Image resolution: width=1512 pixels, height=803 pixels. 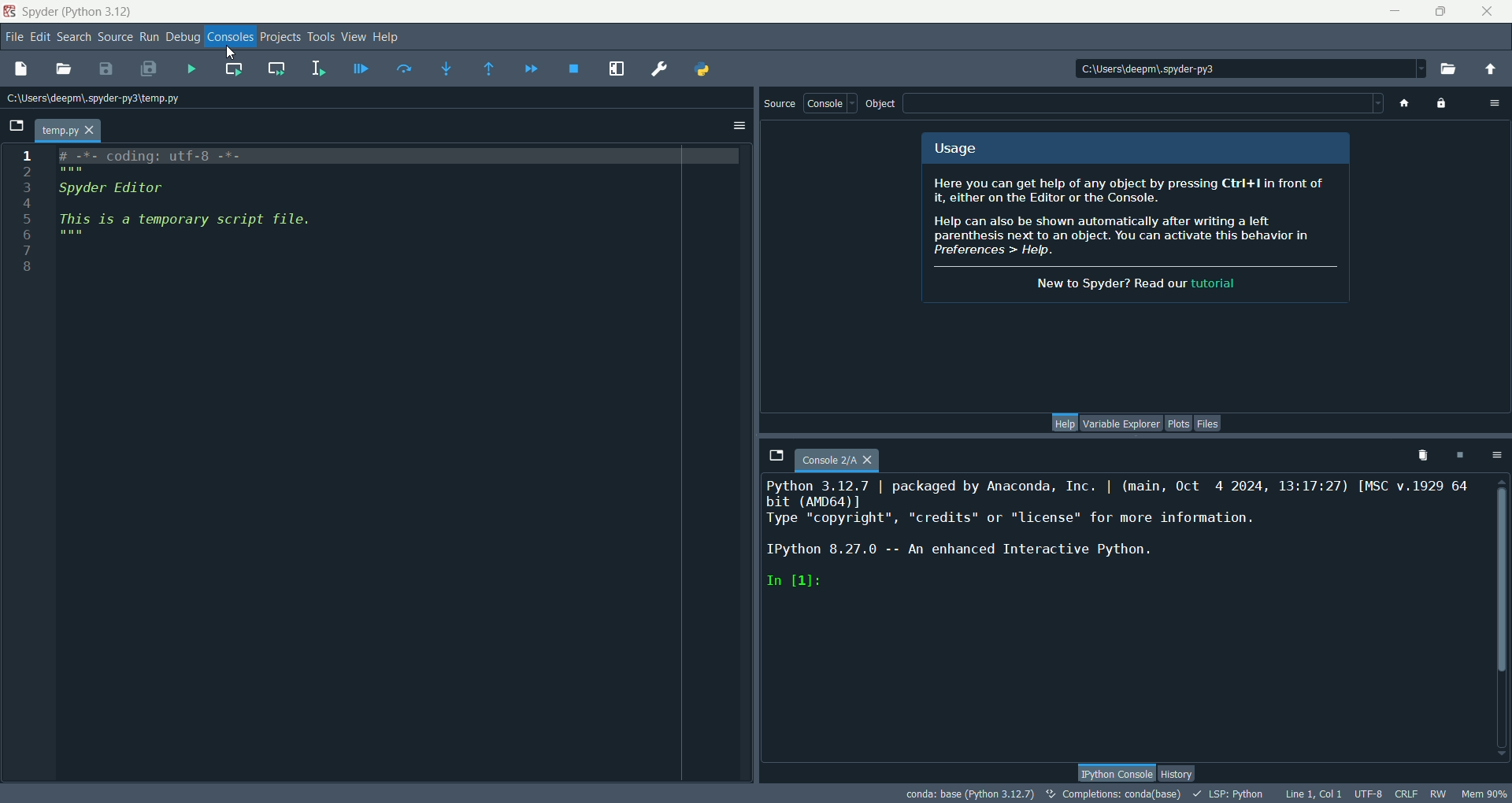 I want to click on options, so click(x=1498, y=456).